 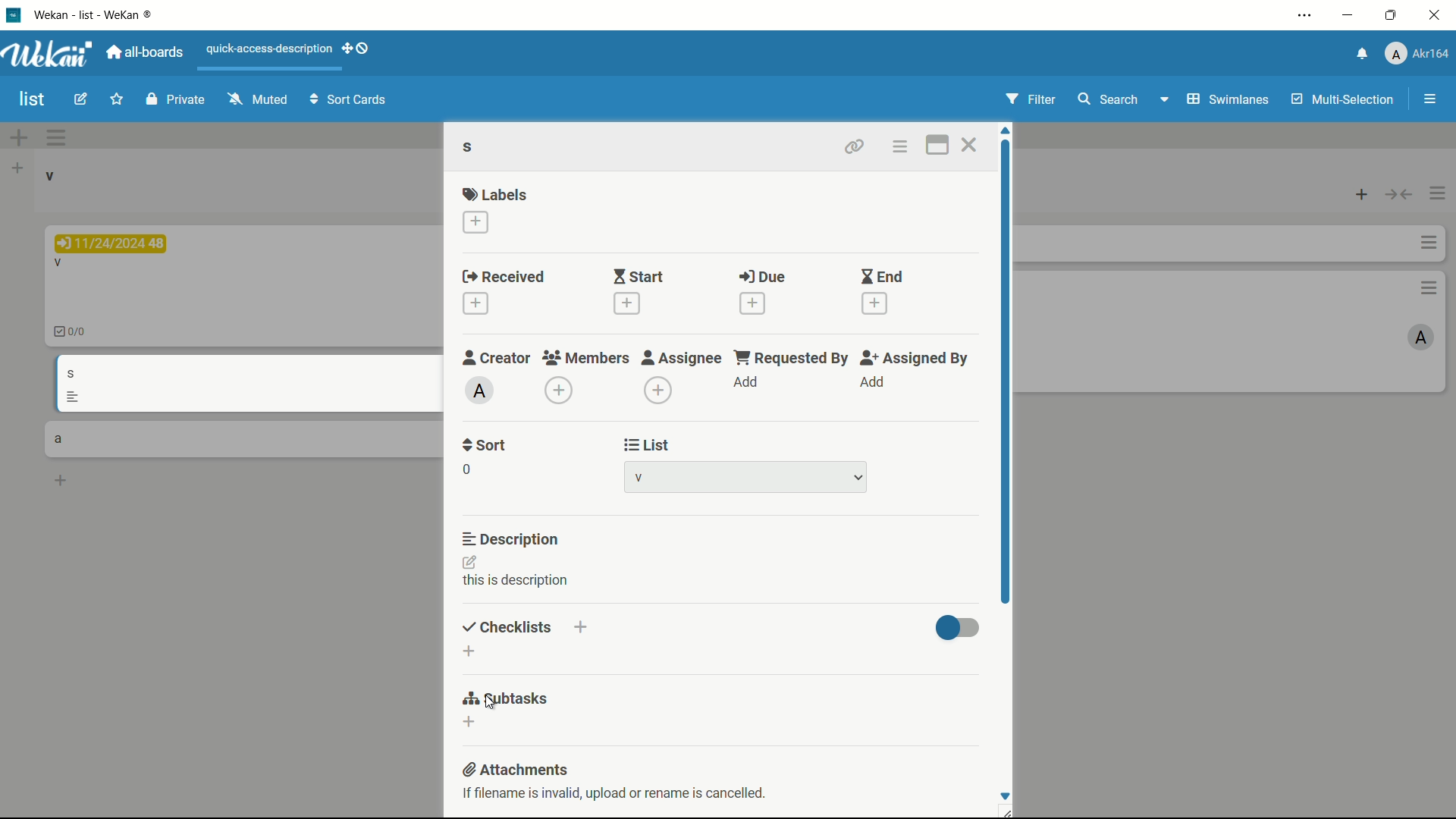 I want to click on swimlanes, so click(x=1229, y=100).